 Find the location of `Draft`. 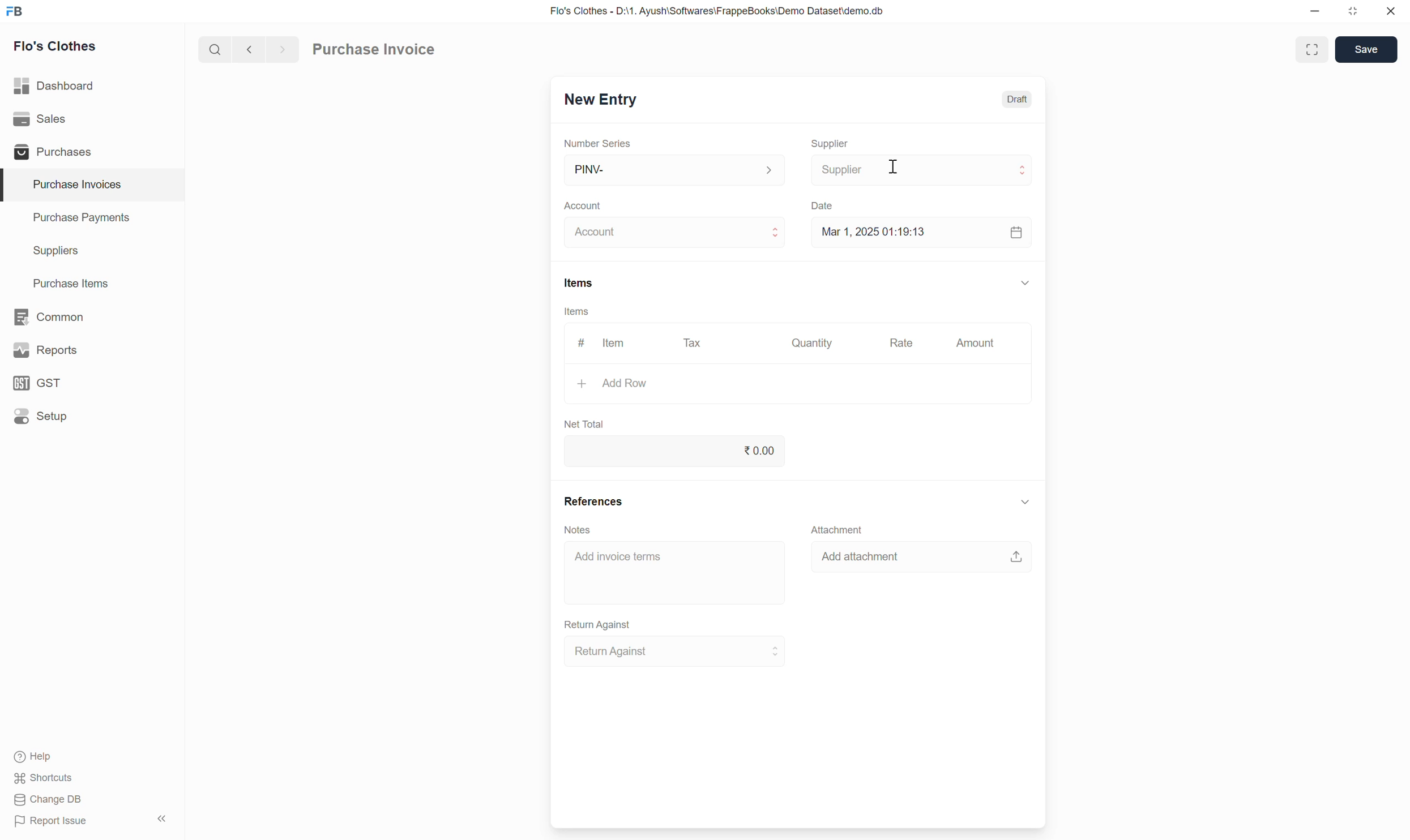

Draft is located at coordinates (1018, 100).